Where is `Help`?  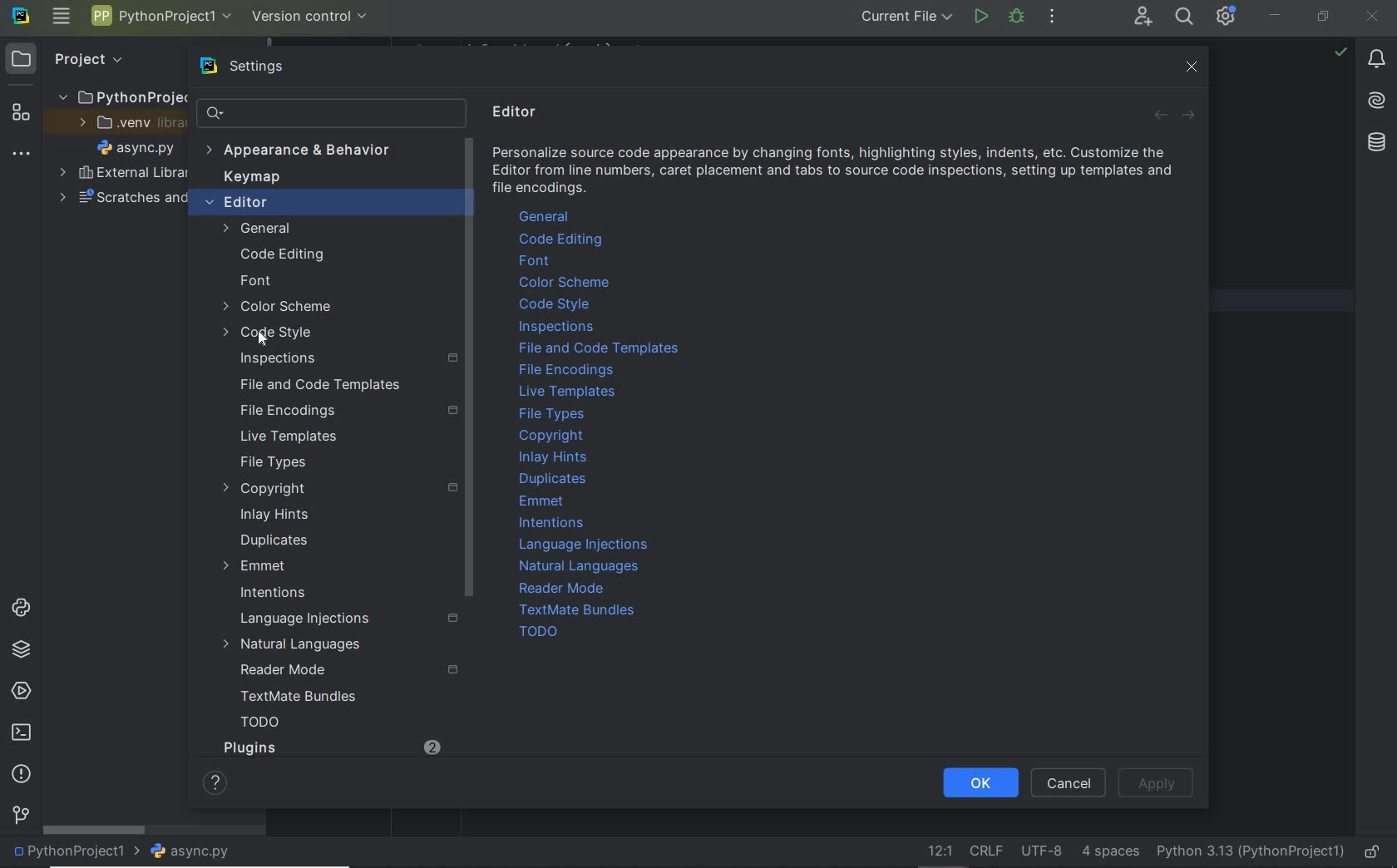 Help is located at coordinates (210, 782).